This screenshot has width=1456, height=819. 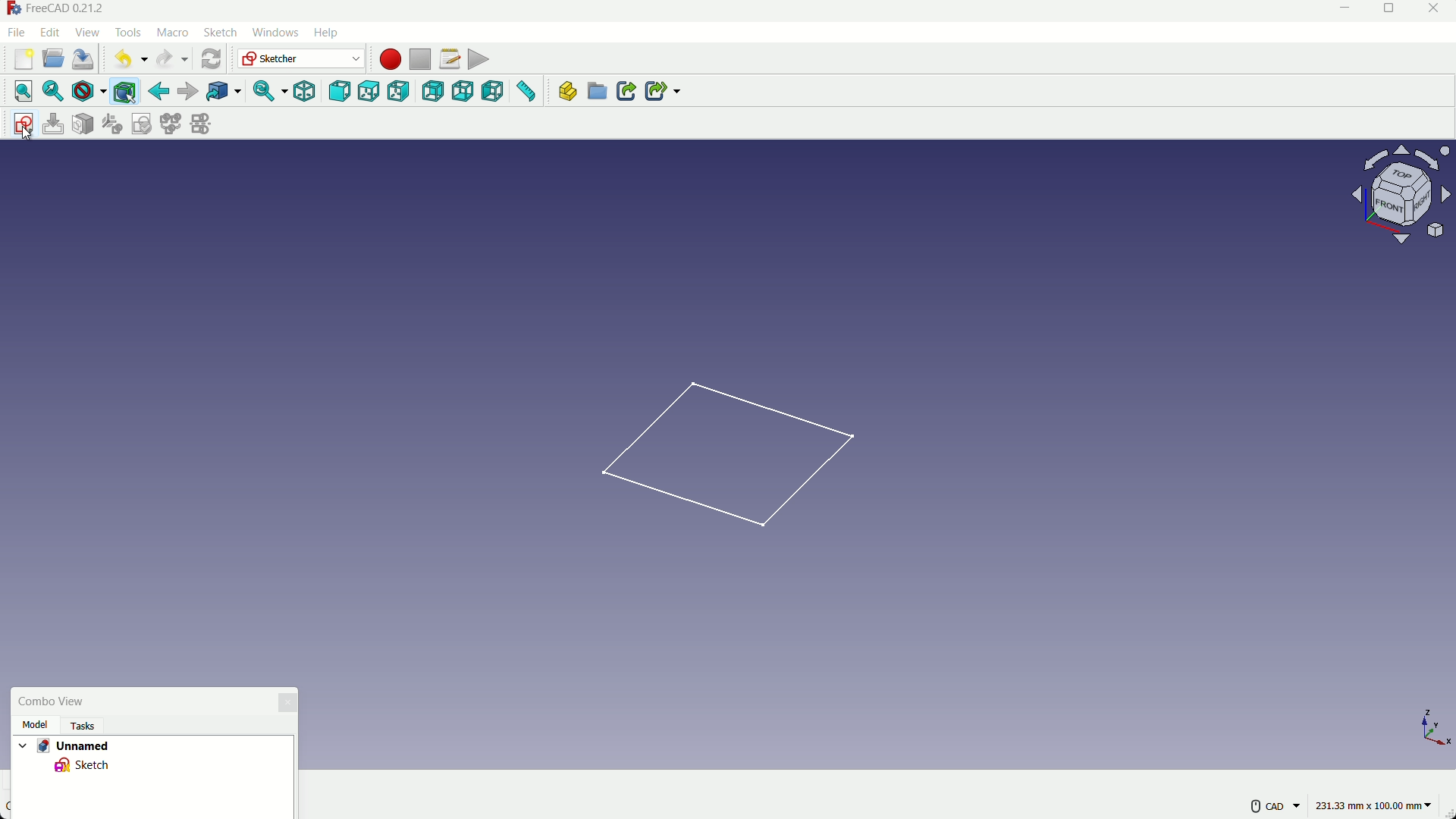 I want to click on edit sketch, so click(x=54, y=124).